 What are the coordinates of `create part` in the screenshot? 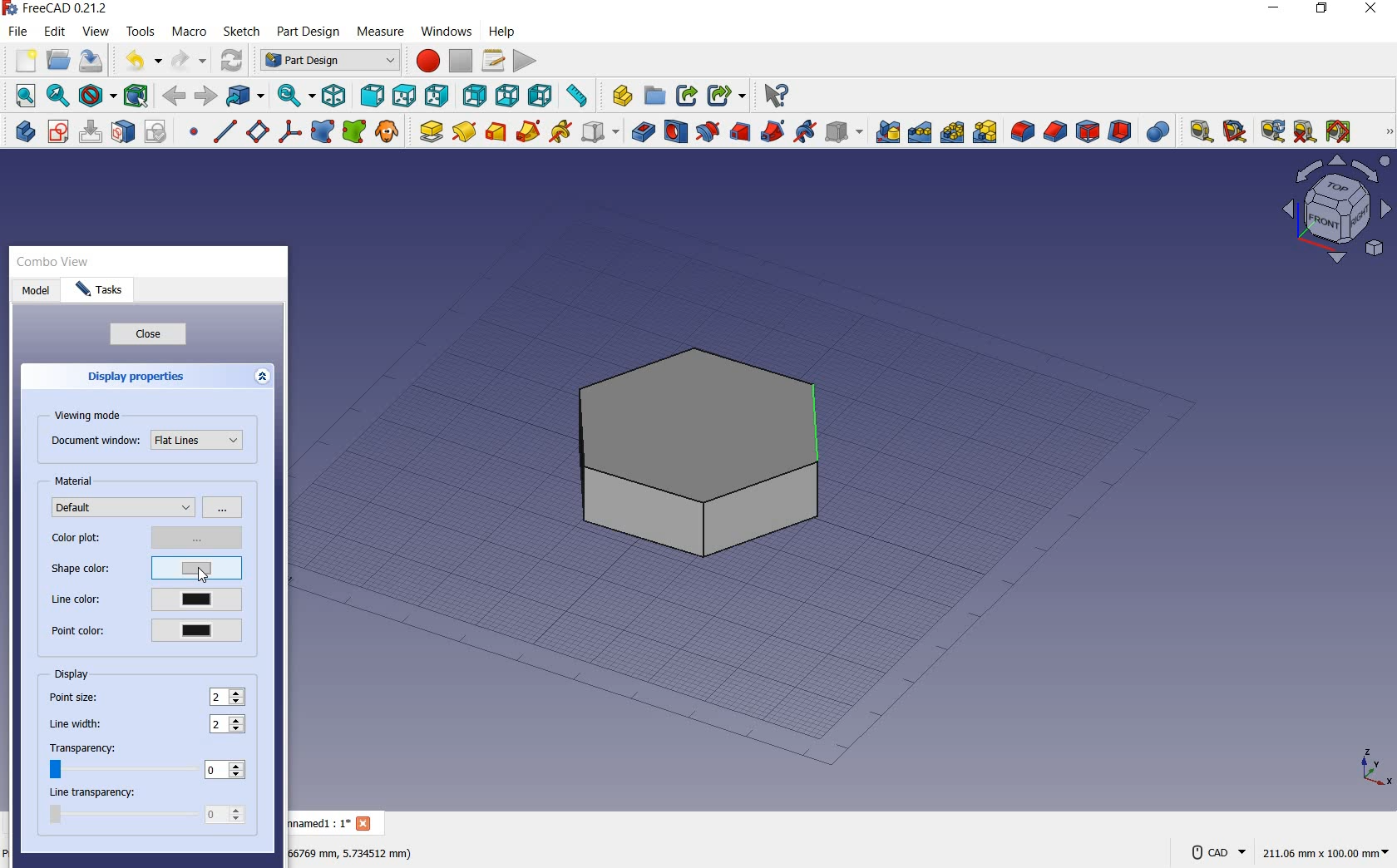 It's located at (618, 96).